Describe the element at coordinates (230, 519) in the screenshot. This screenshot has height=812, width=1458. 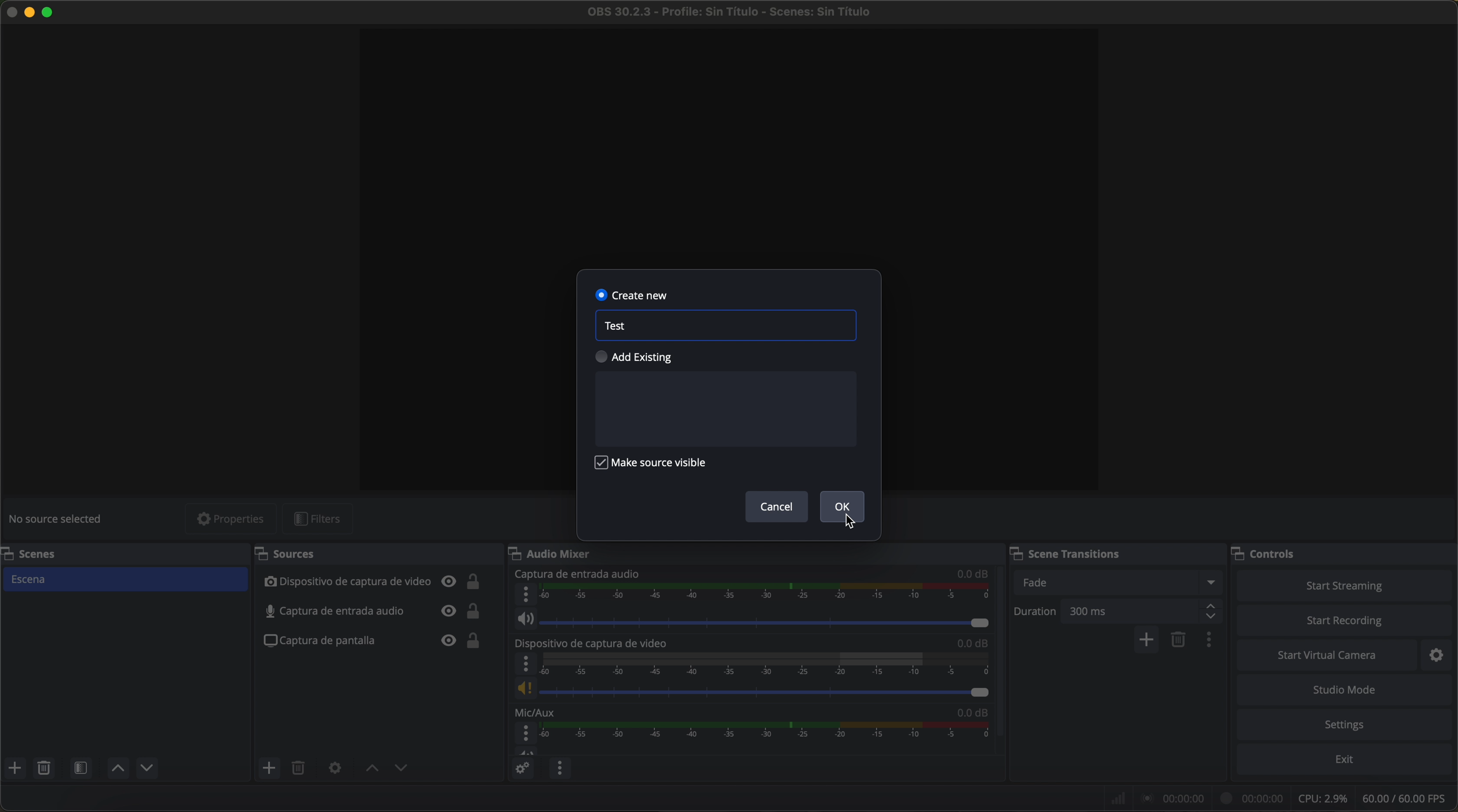
I see `properties` at that location.